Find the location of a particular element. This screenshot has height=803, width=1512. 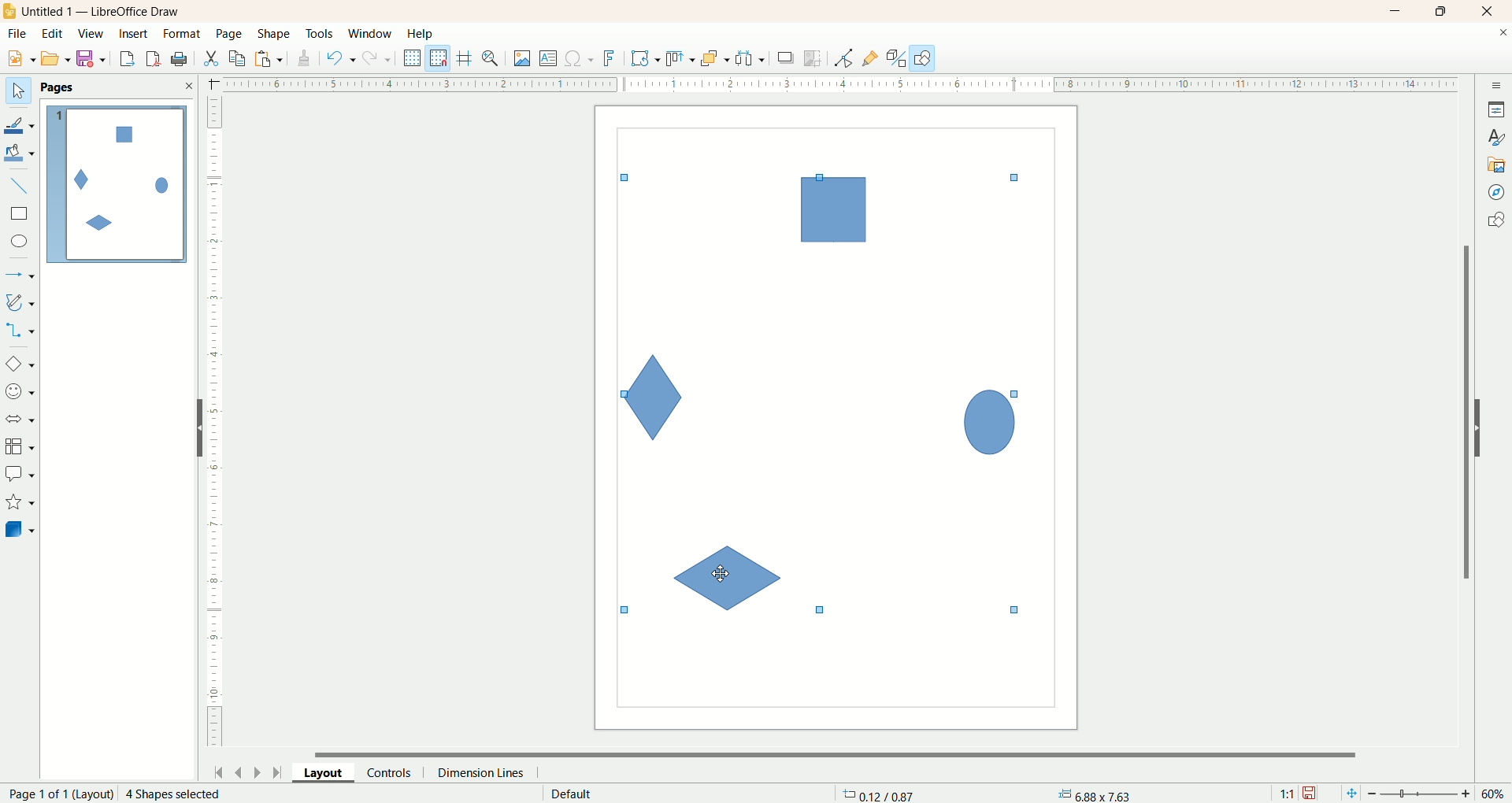

gallery is located at coordinates (1497, 163).